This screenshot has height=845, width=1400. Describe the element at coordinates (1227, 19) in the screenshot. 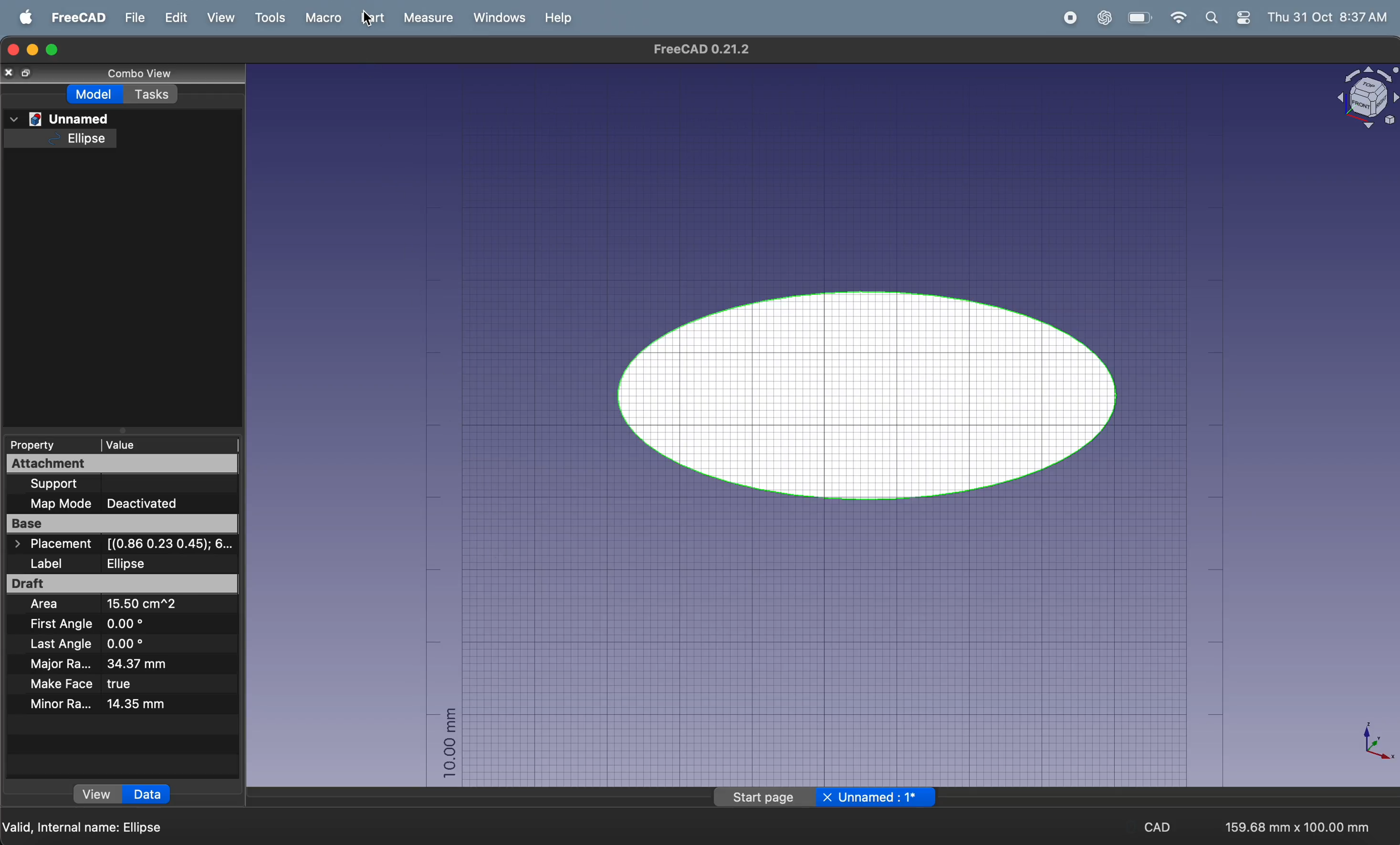

I see `apple widgets` at that location.